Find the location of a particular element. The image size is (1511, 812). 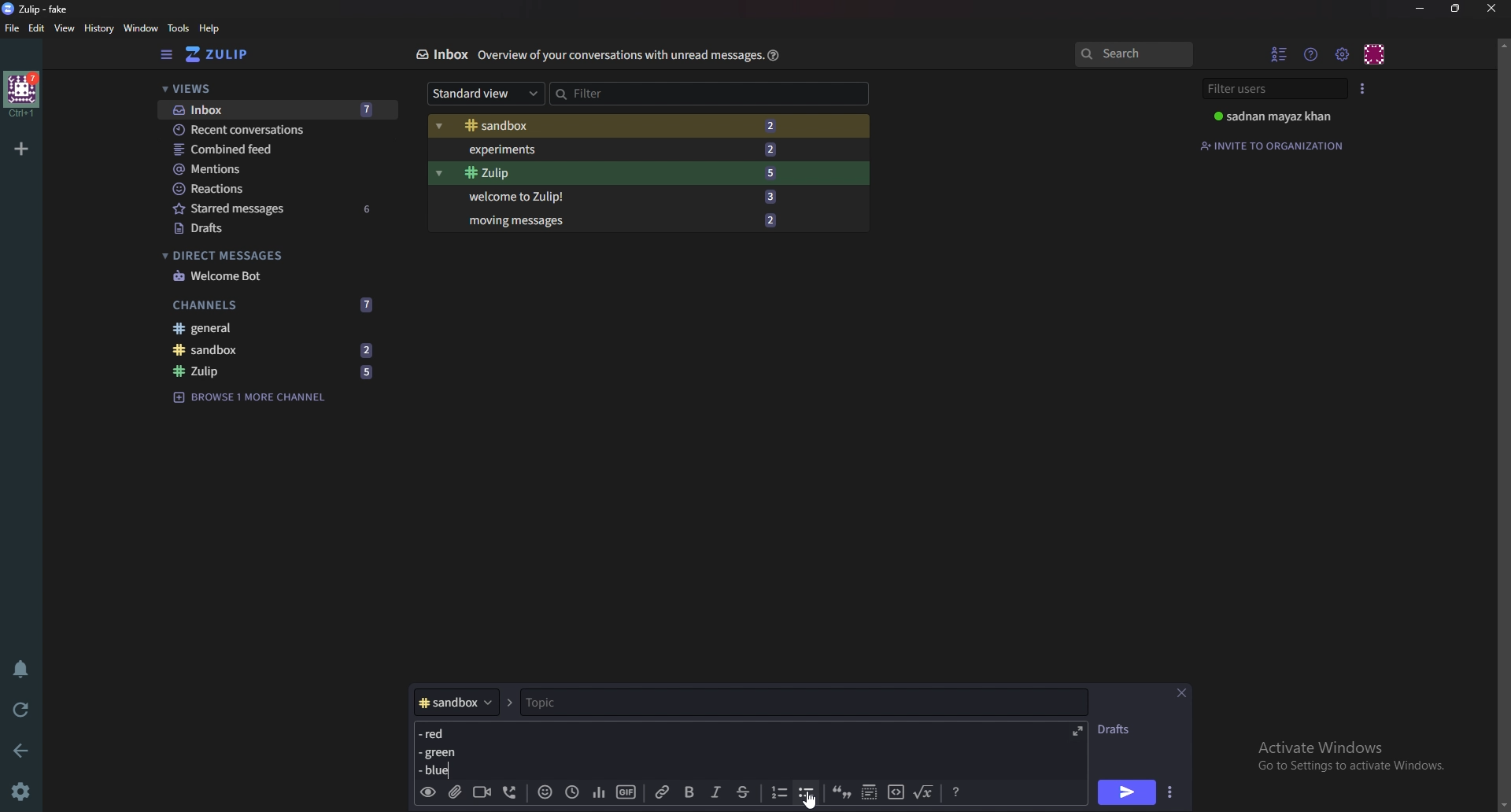

Message formatting is located at coordinates (959, 790).